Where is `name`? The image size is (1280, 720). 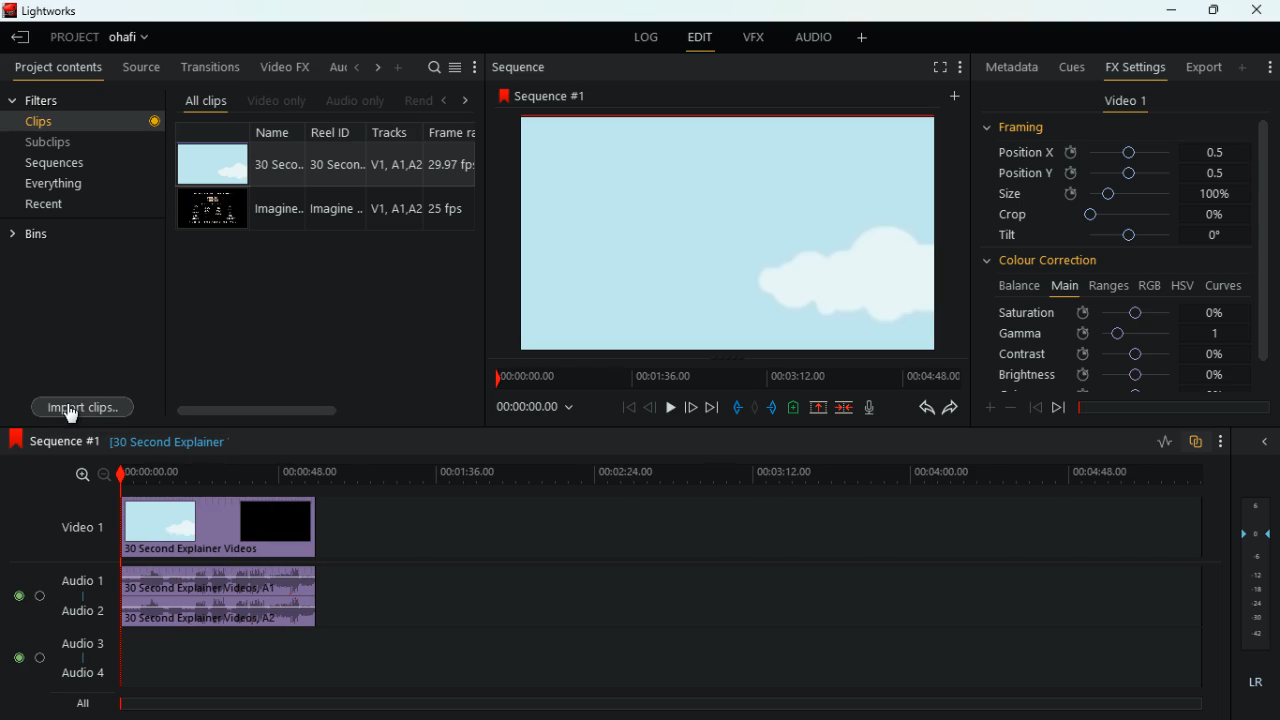
name is located at coordinates (276, 177).